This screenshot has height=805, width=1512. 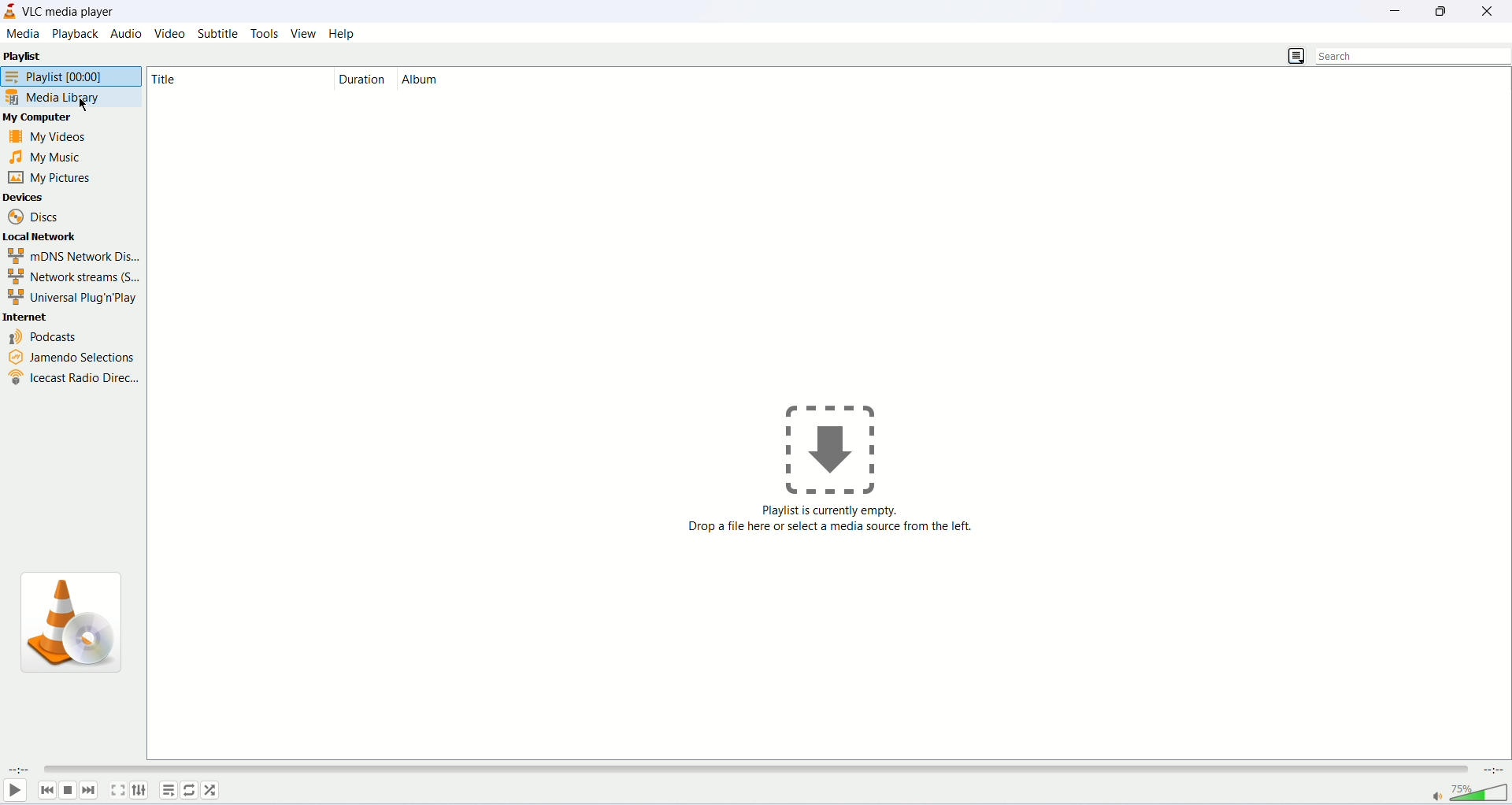 What do you see at coordinates (423, 80) in the screenshot?
I see `album` at bounding box center [423, 80].